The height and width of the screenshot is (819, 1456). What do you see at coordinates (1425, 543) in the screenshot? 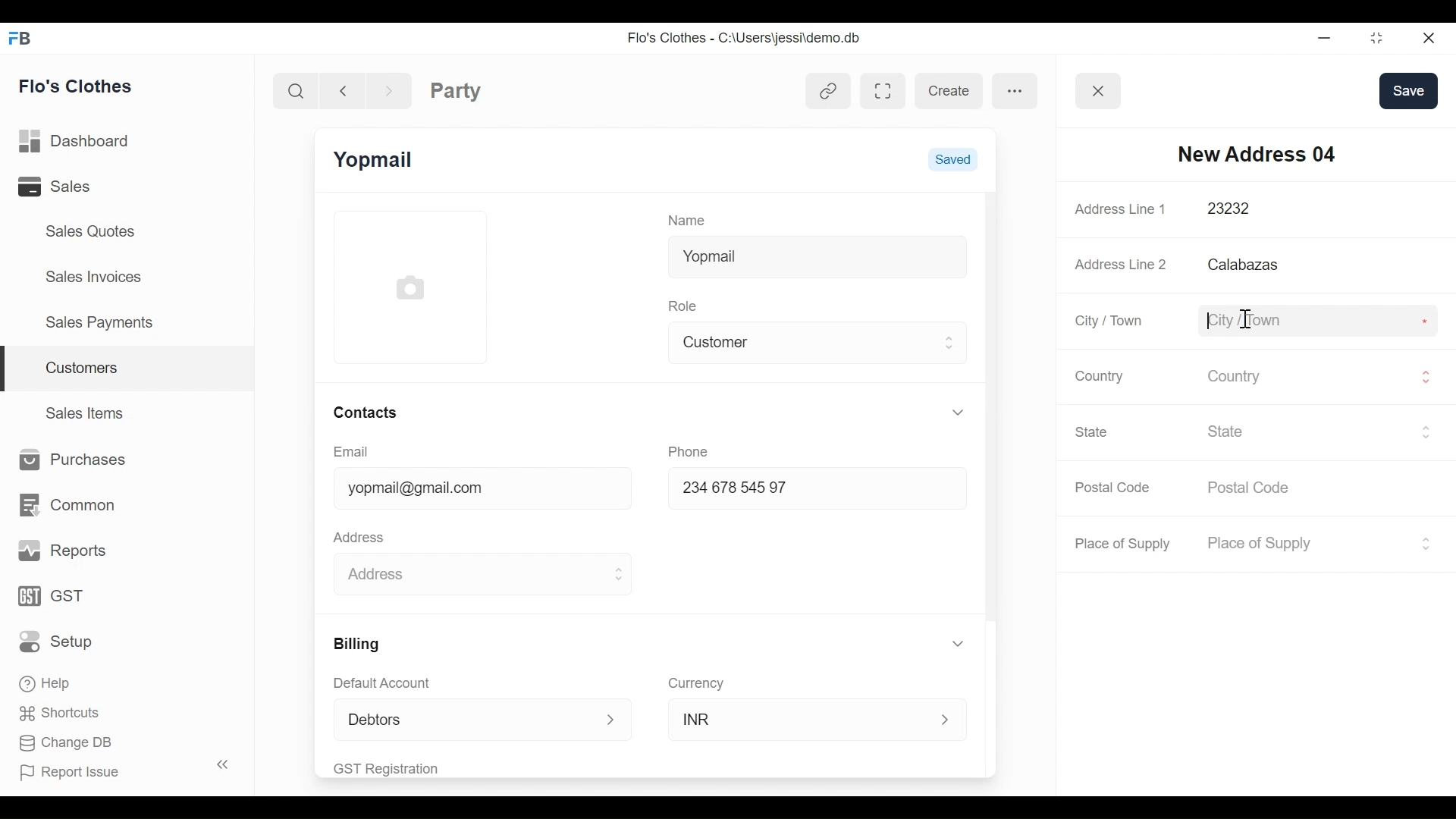
I see `Expand` at bounding box center [1425, 543].